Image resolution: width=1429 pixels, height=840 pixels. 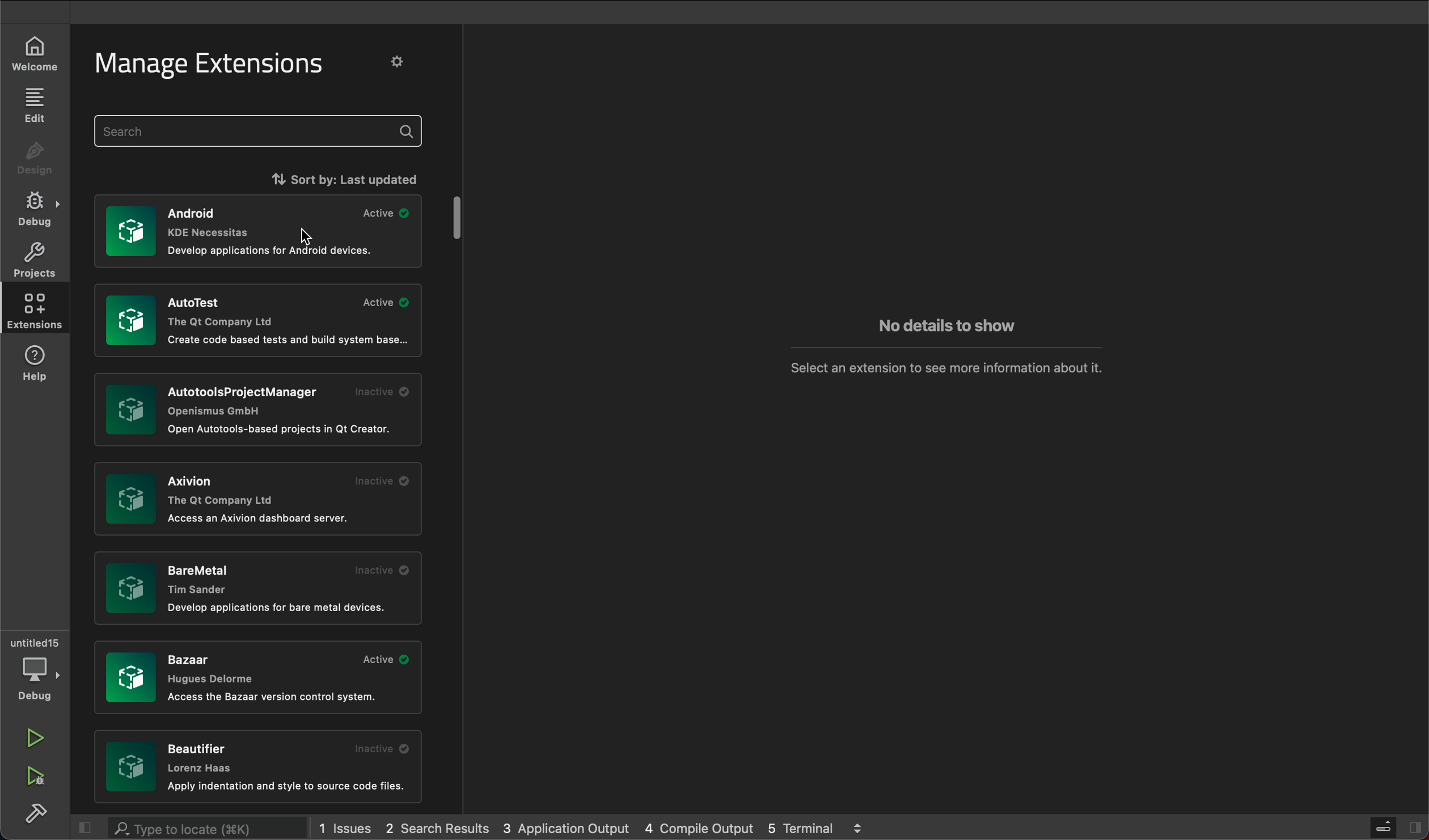 What do you see at coordinates (35, 814) in the screenshot?
I see `build` at bounding box center [35, 814].